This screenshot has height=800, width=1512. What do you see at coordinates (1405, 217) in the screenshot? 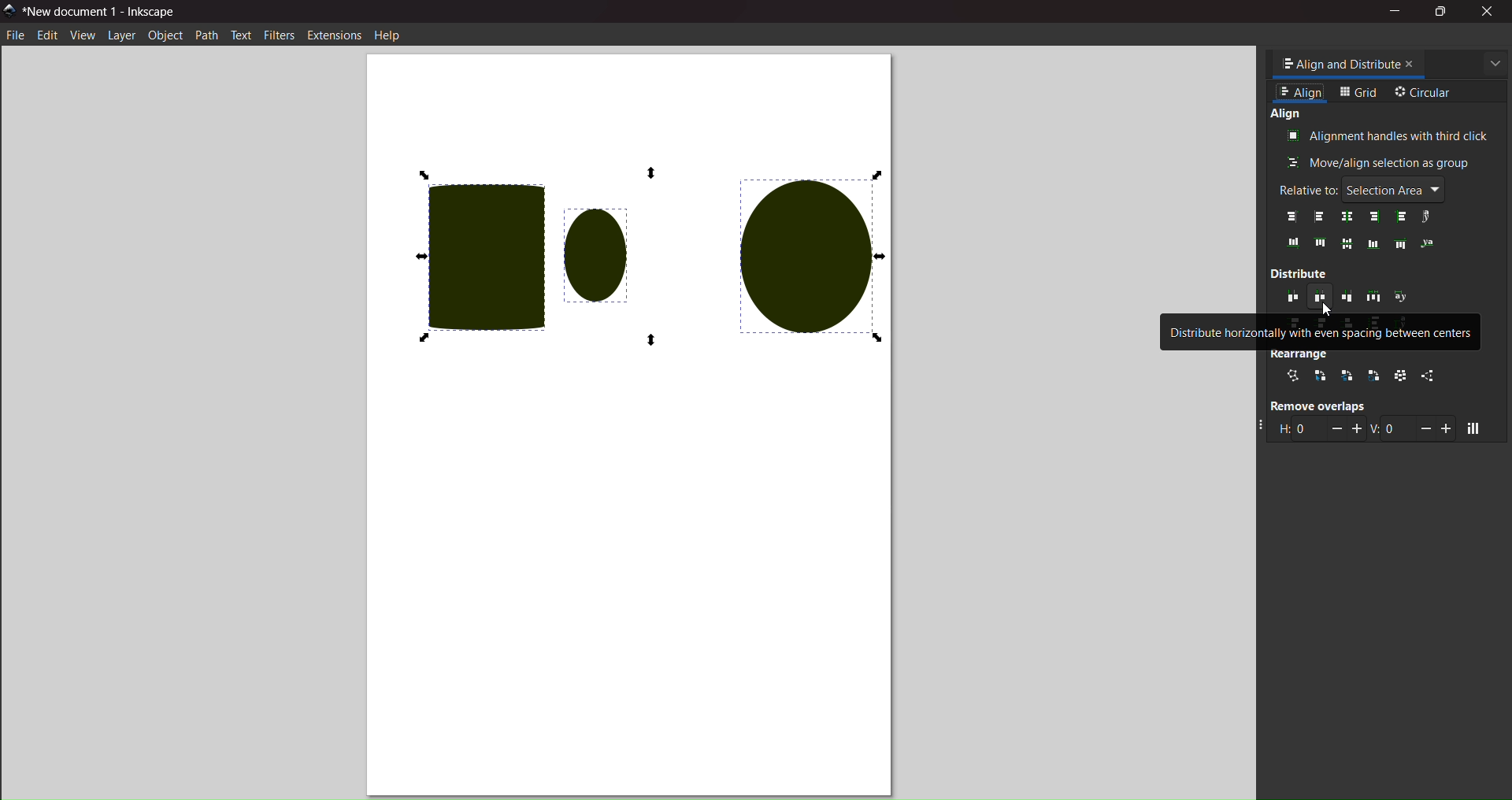
I see `left anchors` at bounding box center [1405, 217].